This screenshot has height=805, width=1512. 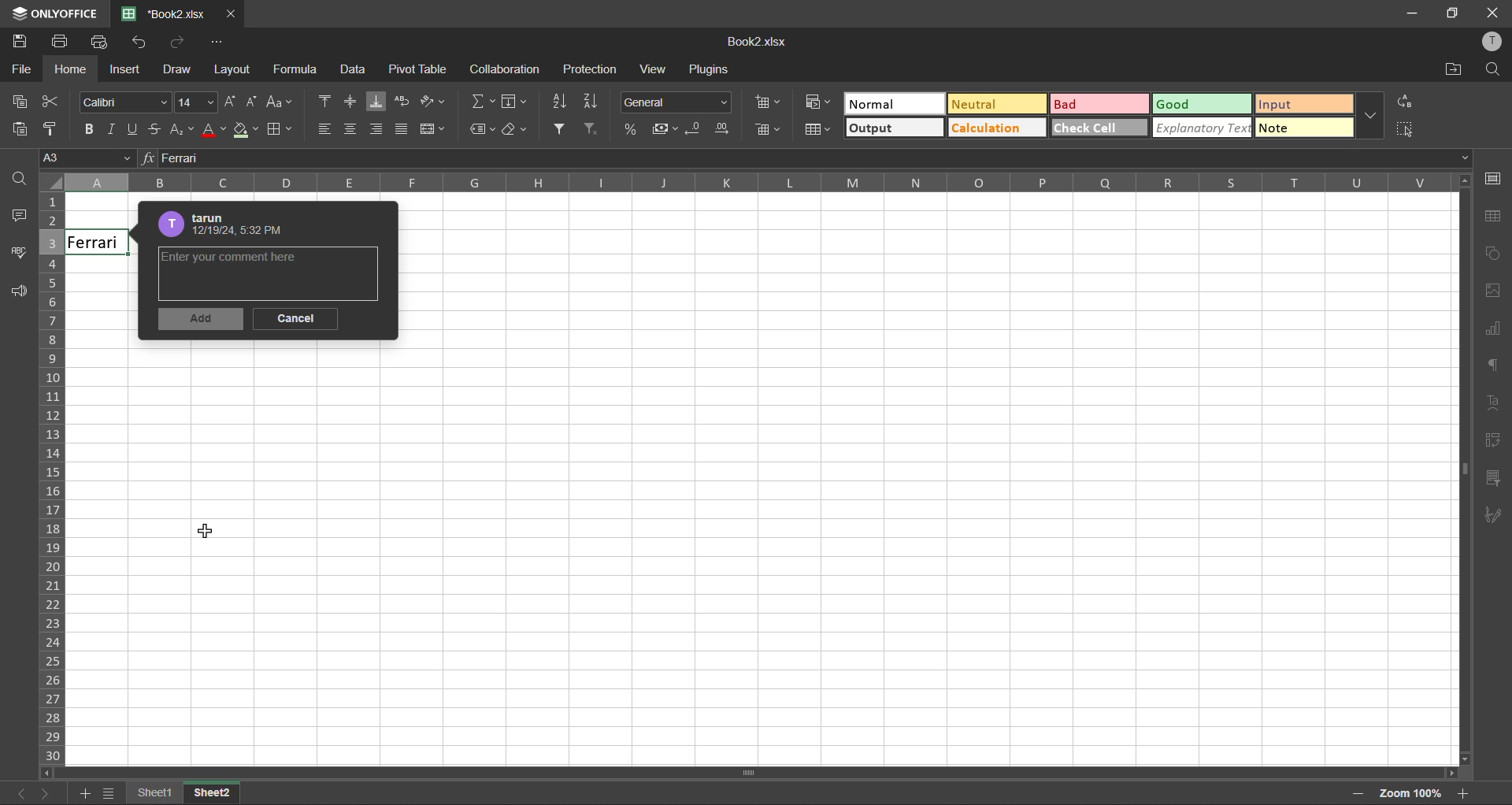 What do you see at coordinates (560, 128) in the screenshot?
I see `filter` at bounding box center [560, 128].